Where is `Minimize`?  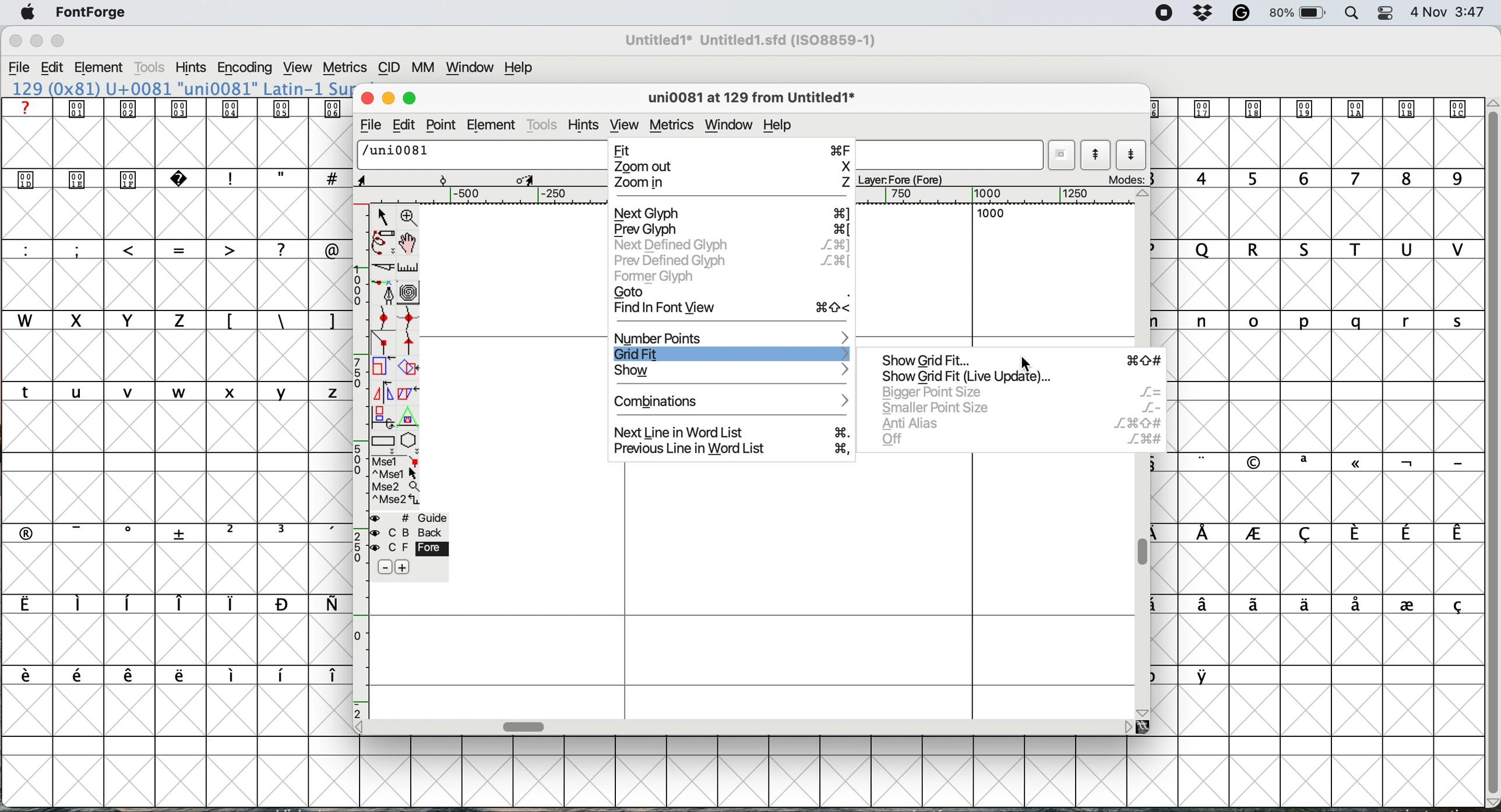 Minimize is located at coordinates (38, 41).